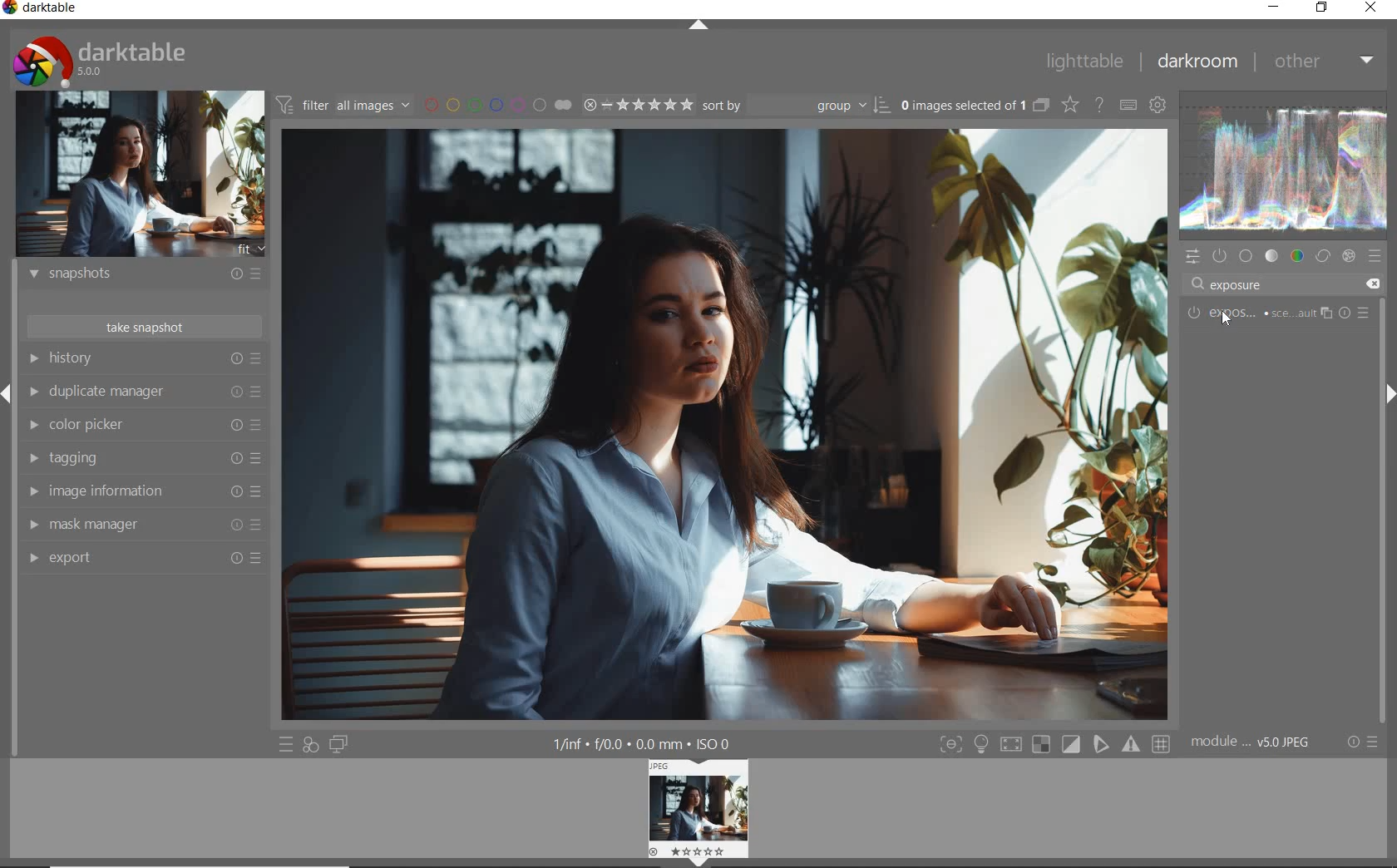 The height and width of the screenshot is (868, 1397). I want to click on tone, so click(1271, 255).